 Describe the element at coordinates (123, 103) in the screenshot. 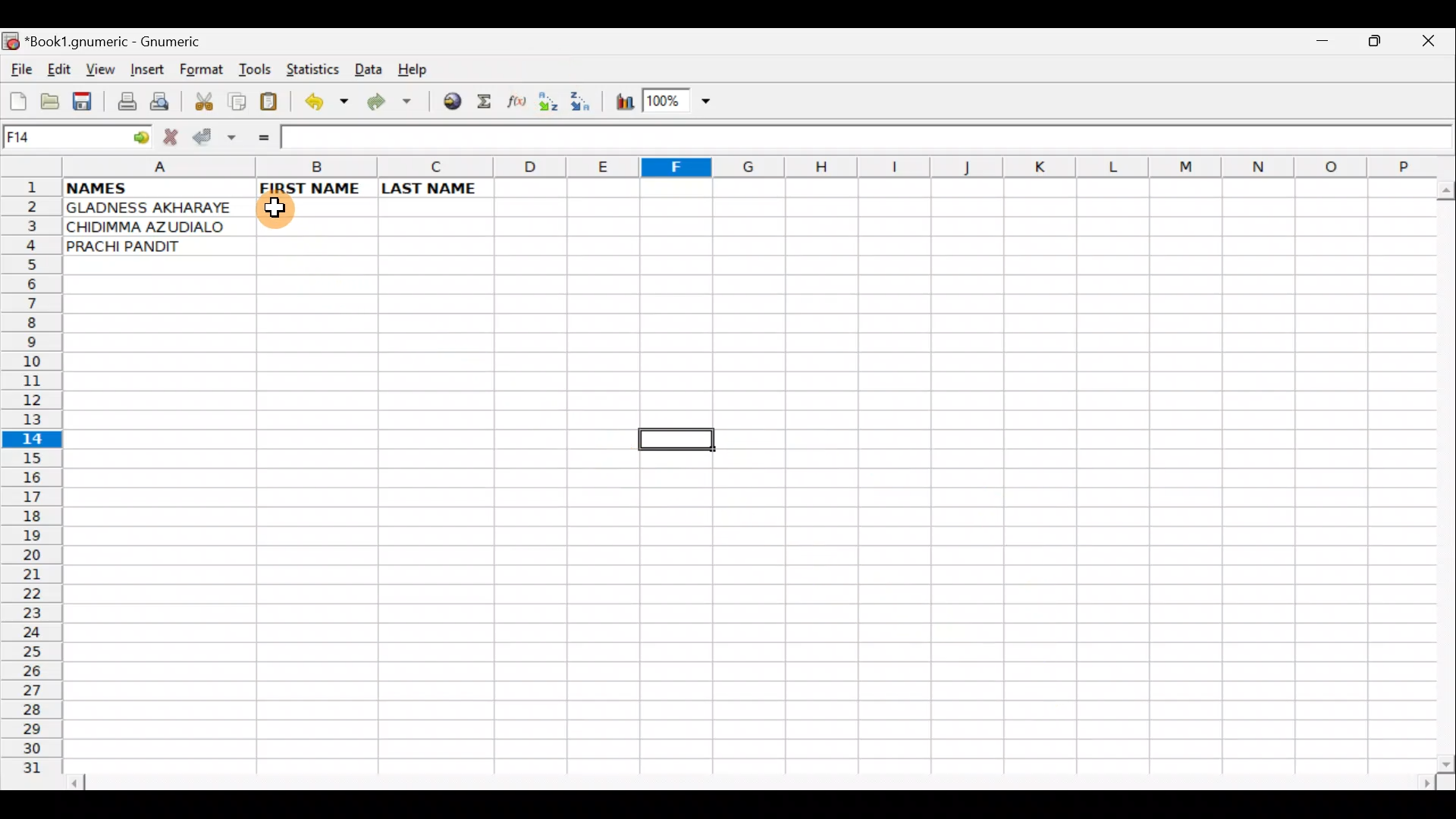

I see `Print file` at that location.